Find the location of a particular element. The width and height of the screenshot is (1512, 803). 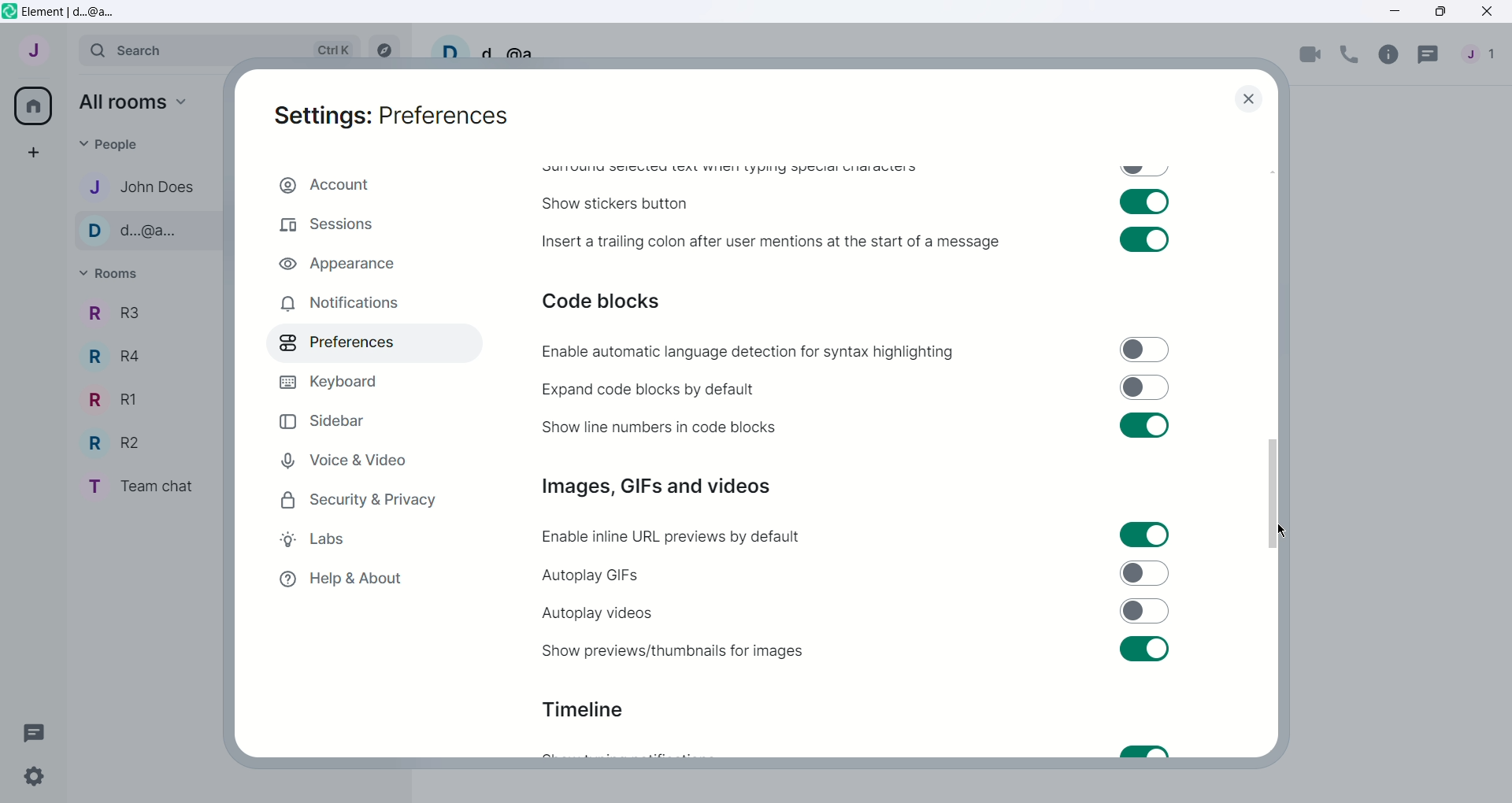

Toggle switch on for sure previews/thumbnails for images is located at coordinates (1143, 649).